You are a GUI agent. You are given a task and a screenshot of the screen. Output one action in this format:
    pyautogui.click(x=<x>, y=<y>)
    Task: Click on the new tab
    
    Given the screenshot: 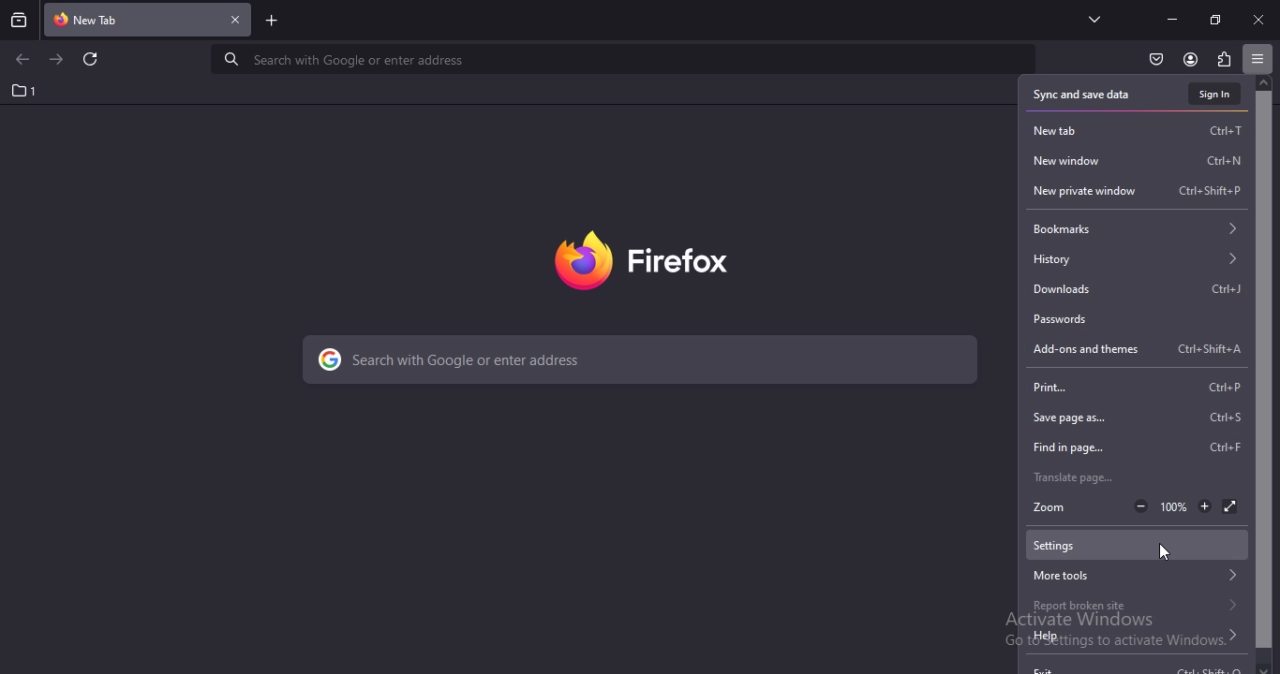 What is the action you would take?
    pyautogui.click(x=1138, y=131)
    